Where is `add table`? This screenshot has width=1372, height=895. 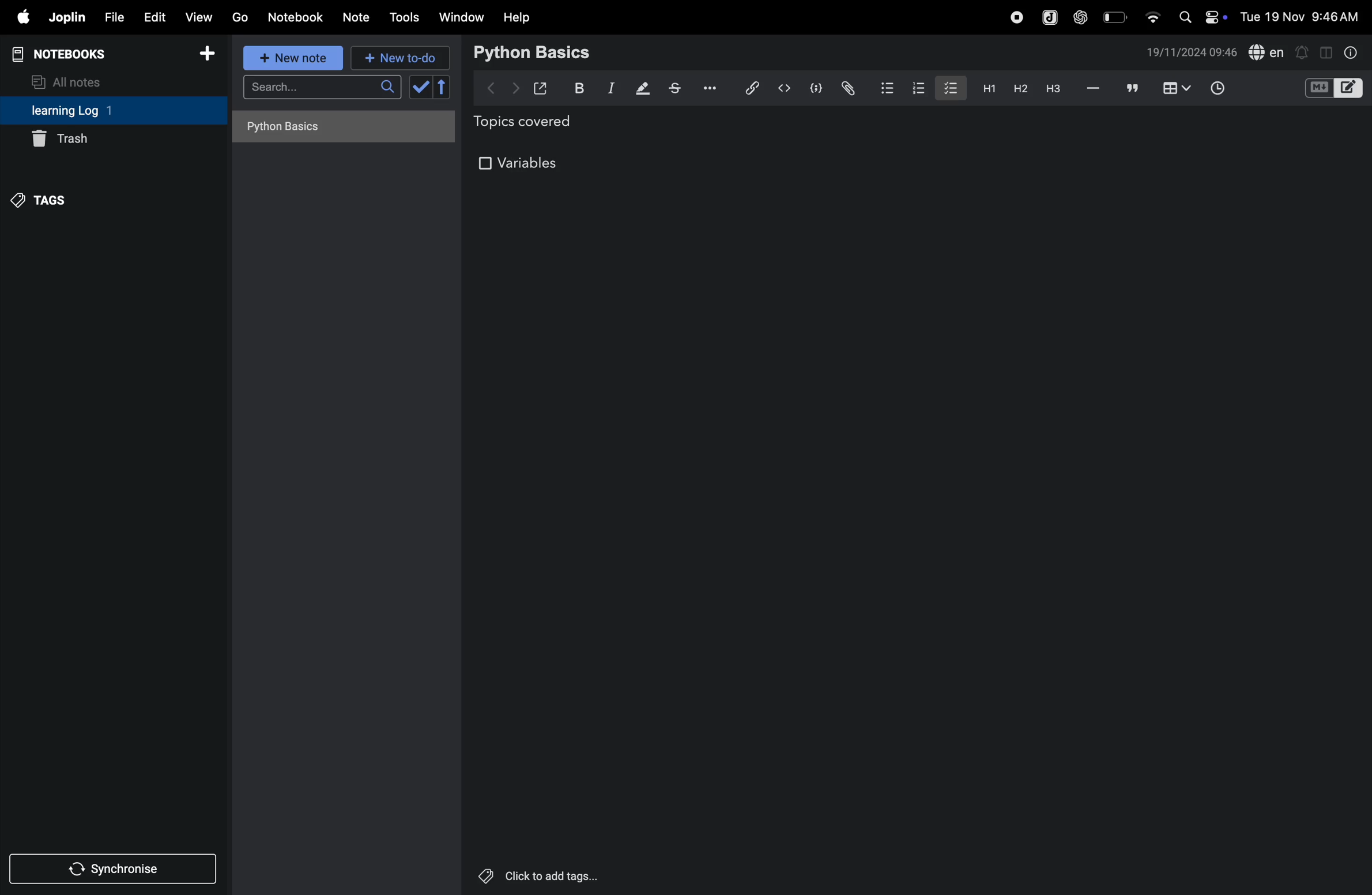 add table is located at coordinates (1174, 89).